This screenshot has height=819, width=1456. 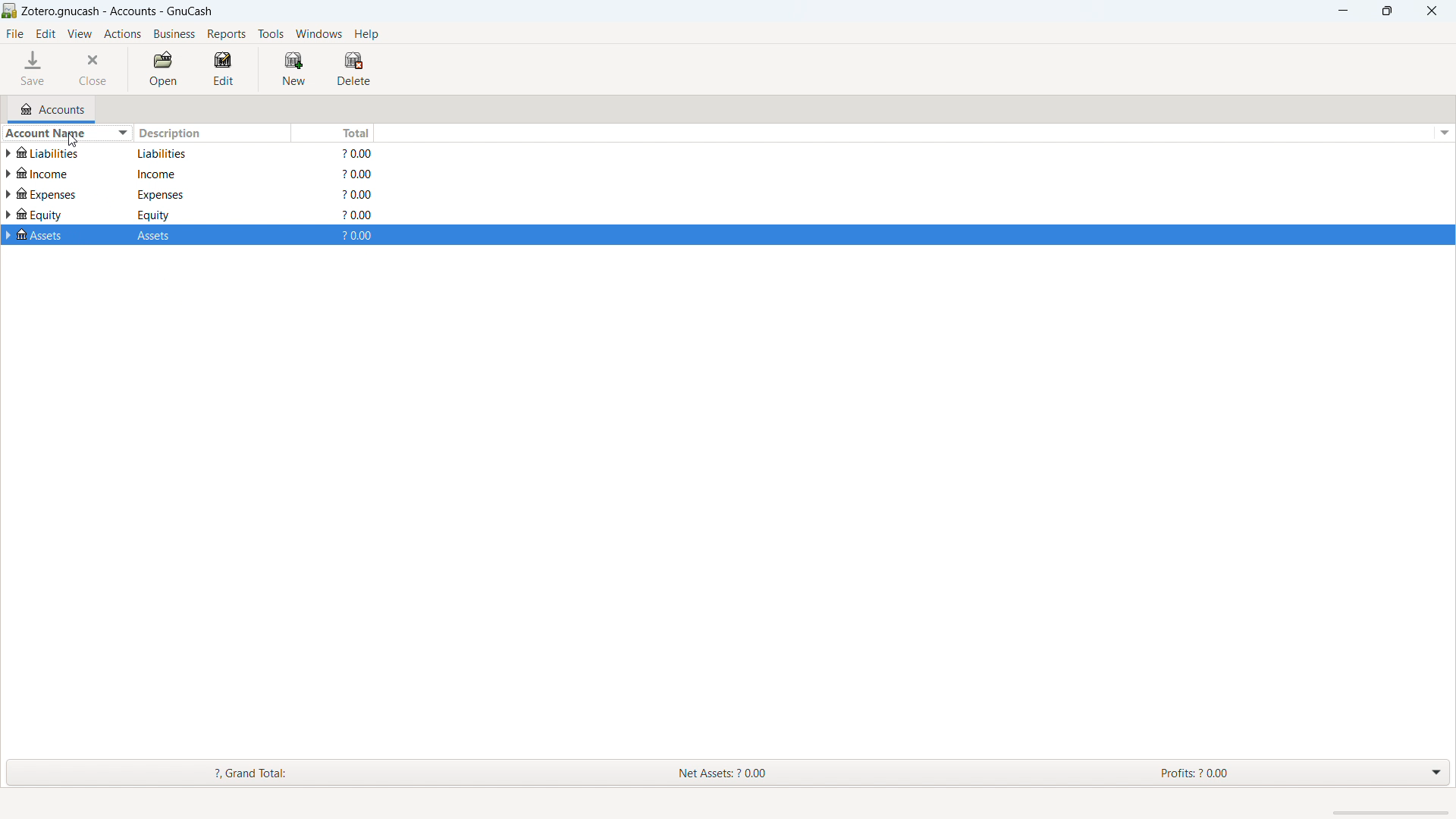 What do you see at coordinates (80, 33) in the screenshot?
I see `view` at bounding box center [80, 33].